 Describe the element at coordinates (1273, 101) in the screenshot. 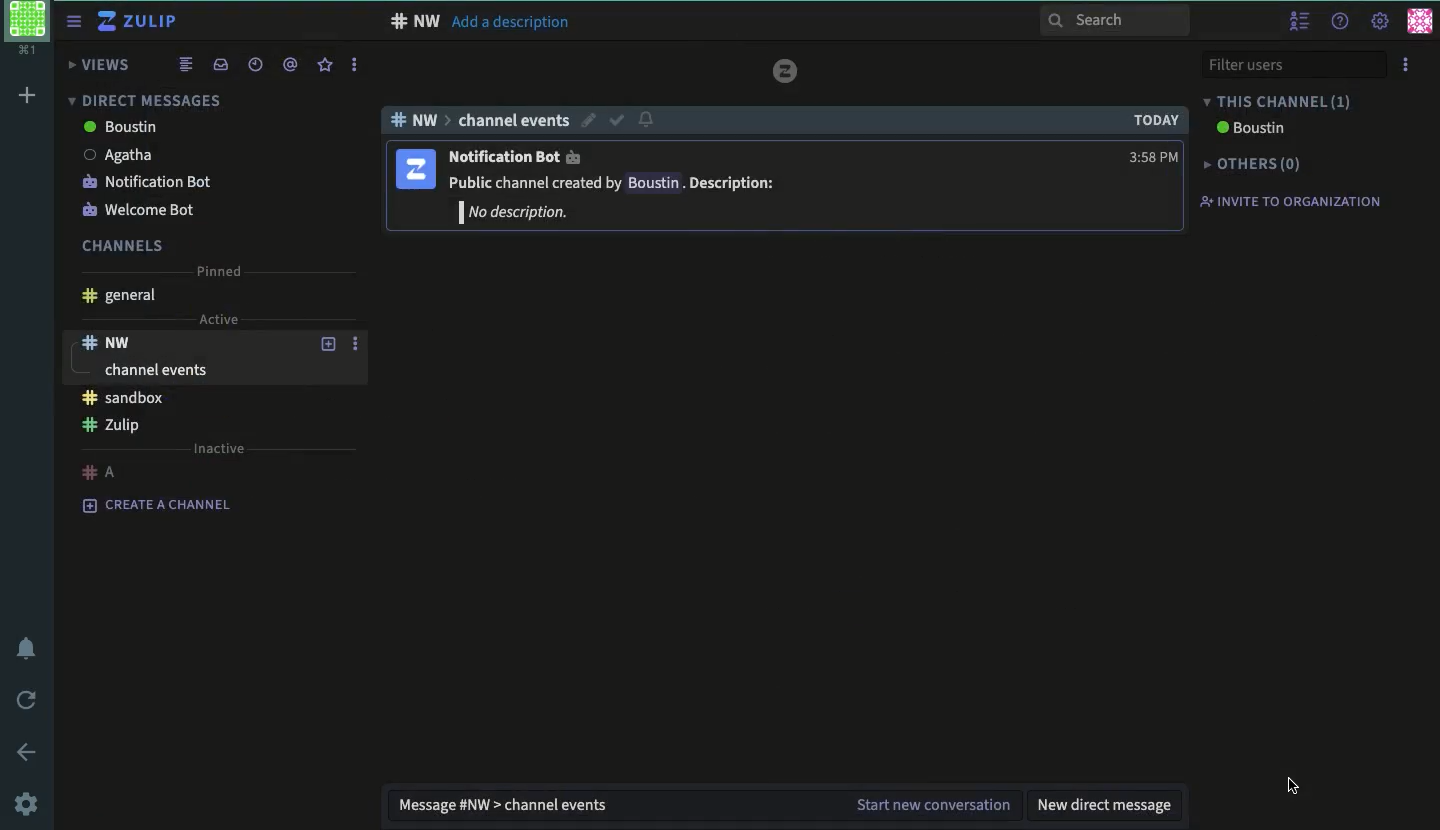

I see `this channel` at that location.